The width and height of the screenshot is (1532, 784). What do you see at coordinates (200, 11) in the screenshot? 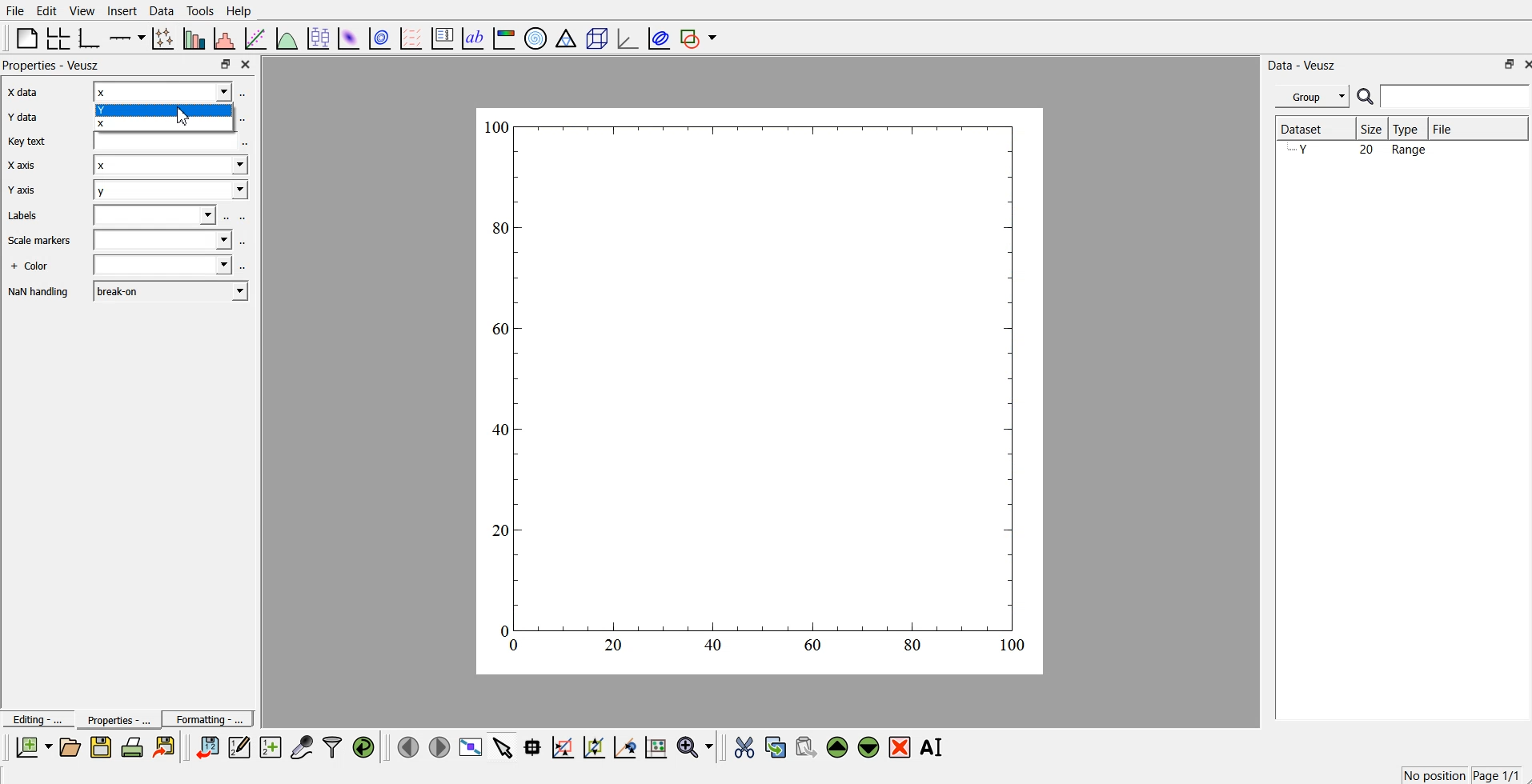
I see `Tools` at bounding box center [200, 11].